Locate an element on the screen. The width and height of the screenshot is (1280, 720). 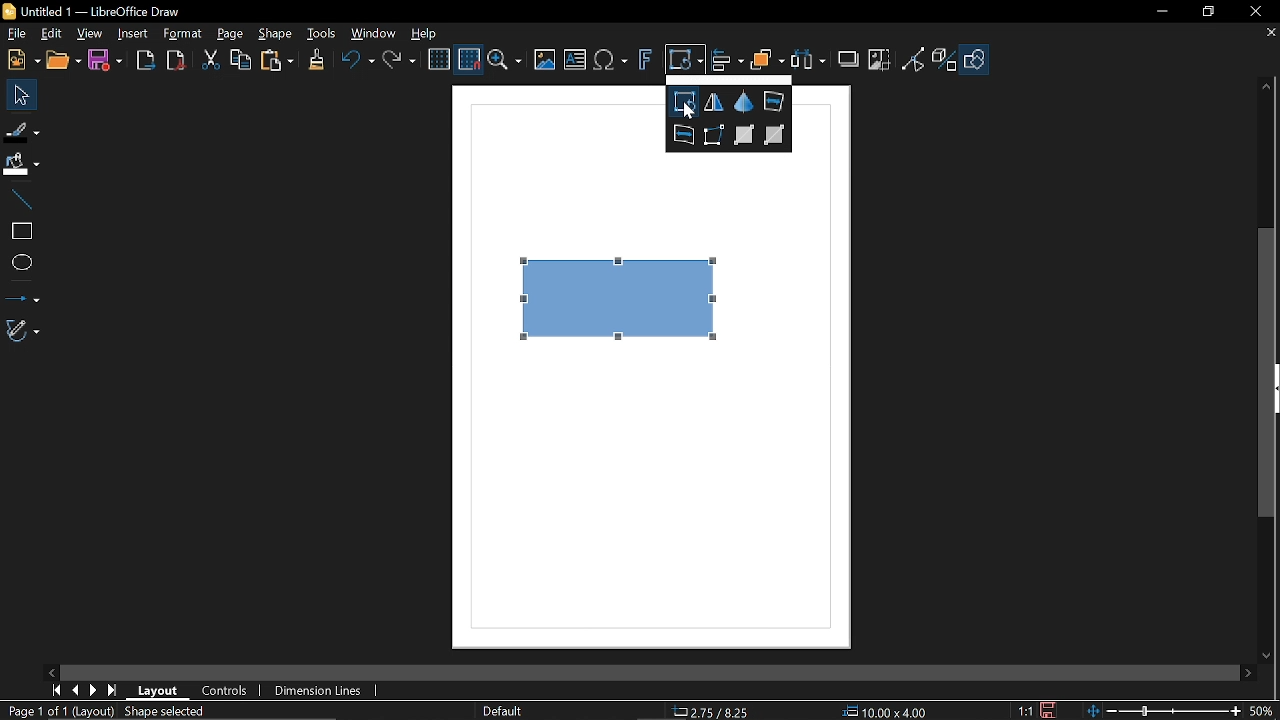
Flip is located at coordinates (715, 103).